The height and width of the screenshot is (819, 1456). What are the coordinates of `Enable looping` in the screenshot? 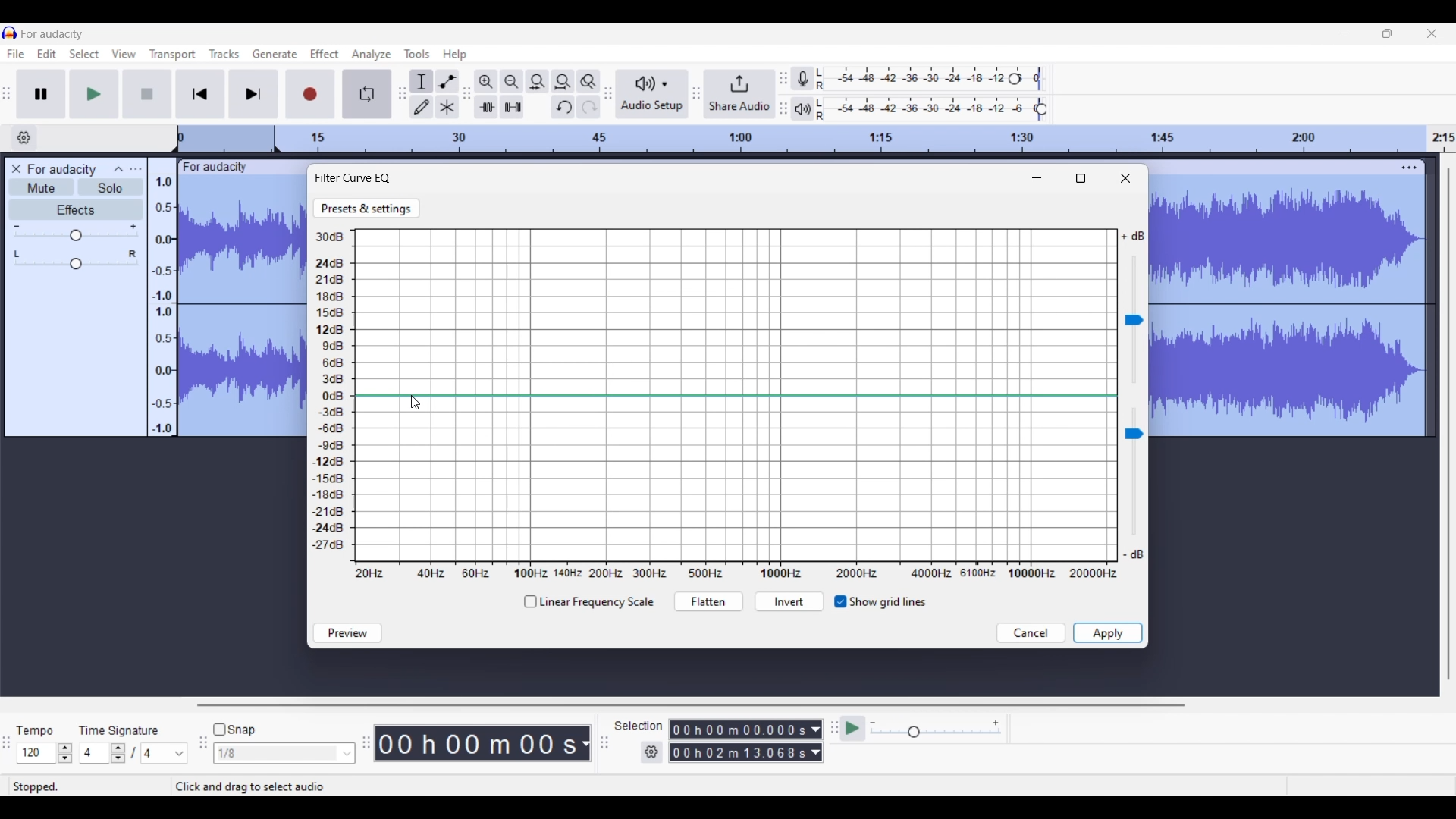 It's located at (367, 94).